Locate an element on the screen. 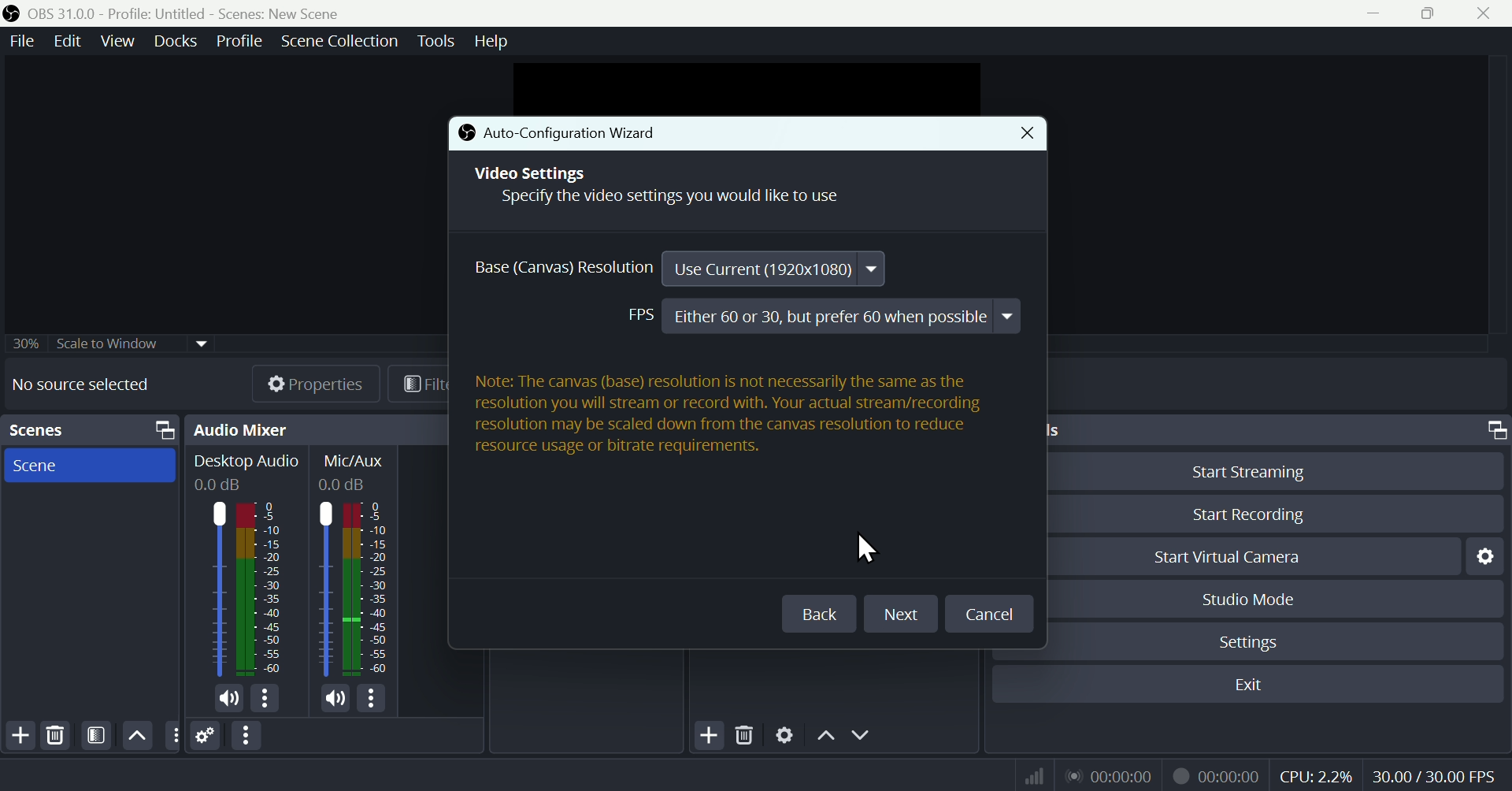 This screenshot has height=791, width=1512. Base Resolution is located at coordinates (557, 268).